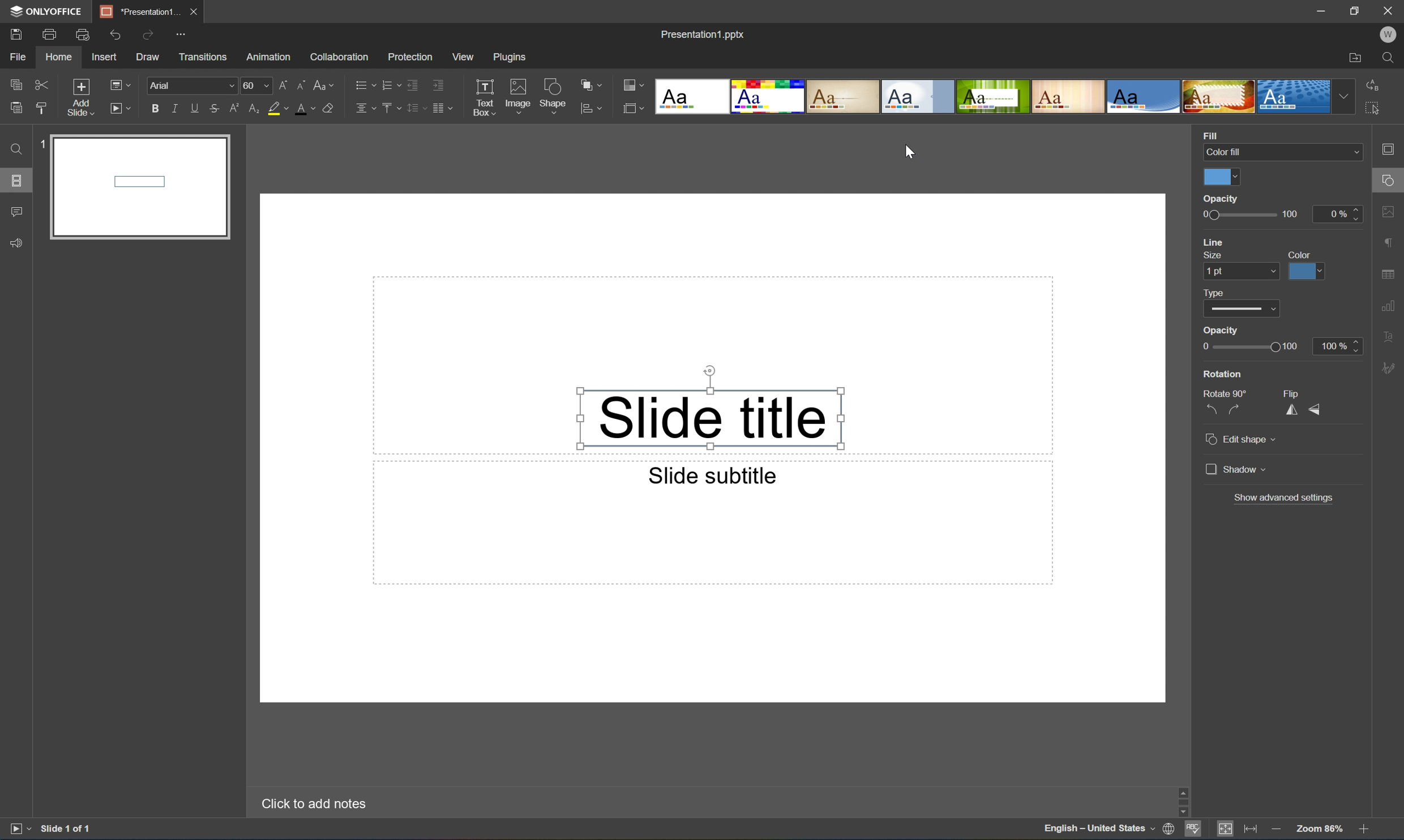 This screenshot has width=1404, height=840. What do you see at coordinates (508, 57) in the screenshot?
I see `Plugins` at bounding box center [508, 57].